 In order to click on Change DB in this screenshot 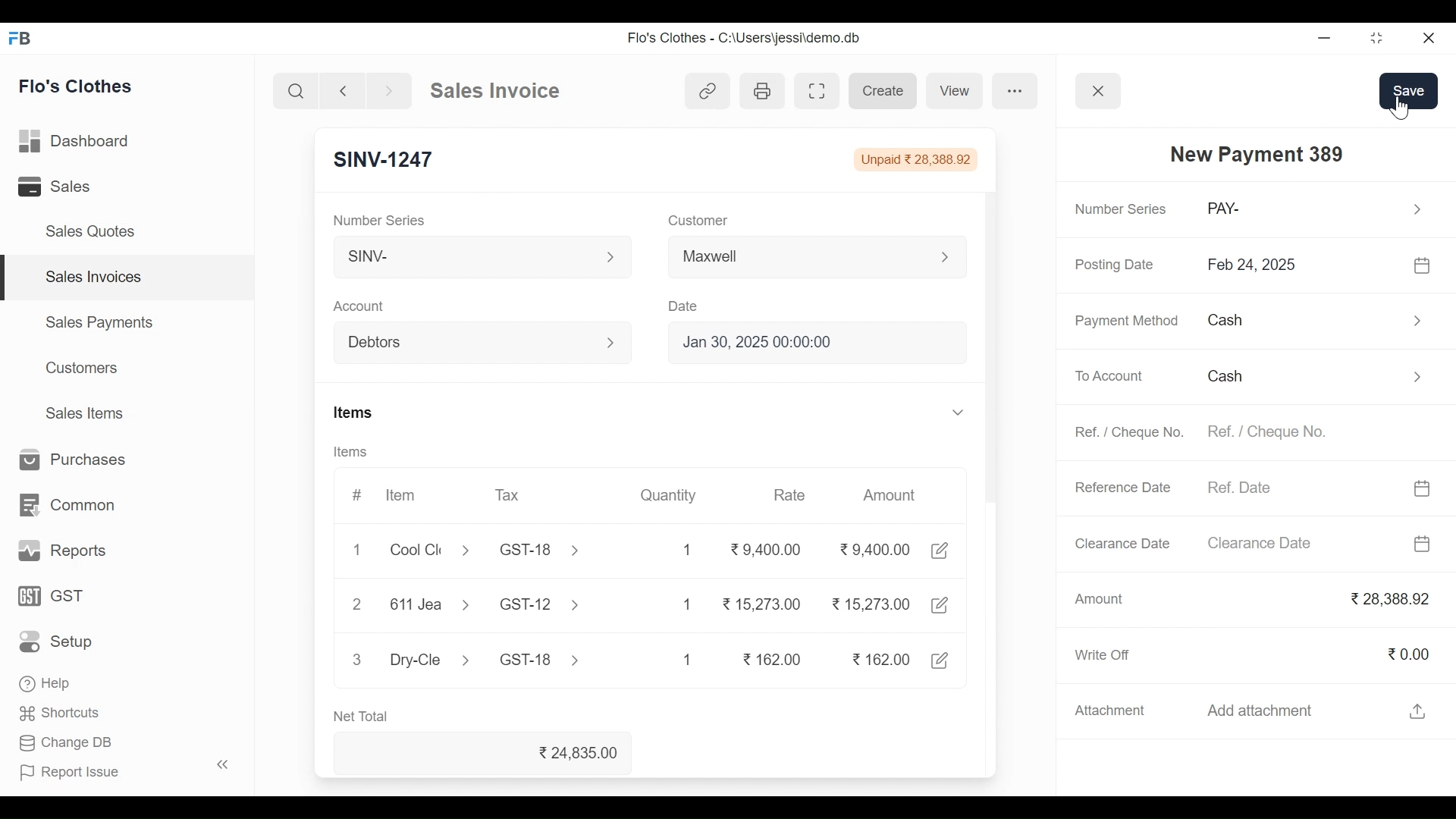, I will do `click(67, 745)`.